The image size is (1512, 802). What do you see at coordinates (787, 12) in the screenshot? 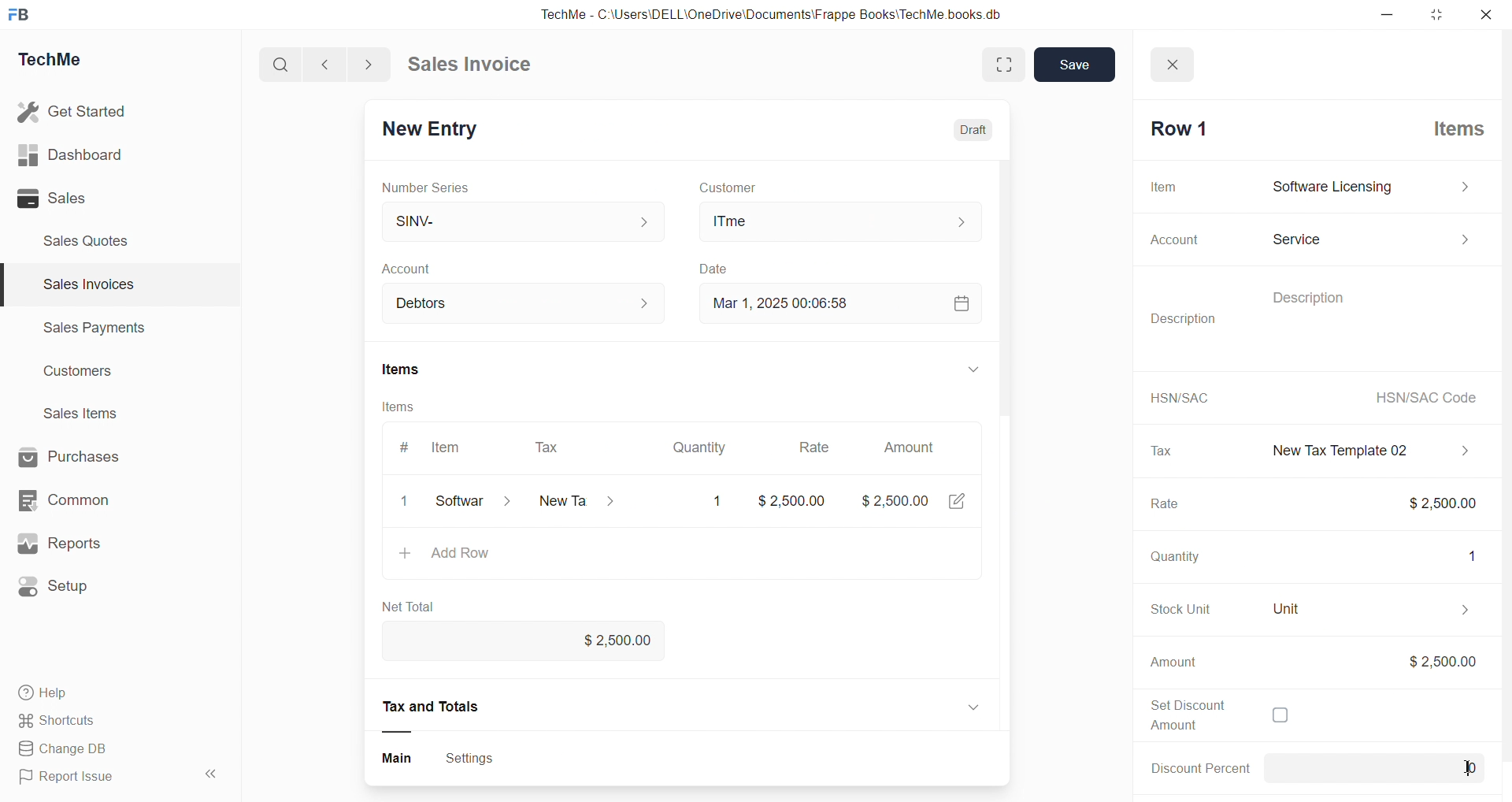
I see `TechMe - C-\Users\DELL\OneDrive\Documents\Frappe Books'TechMe books db` at bounding box center [787, 12].